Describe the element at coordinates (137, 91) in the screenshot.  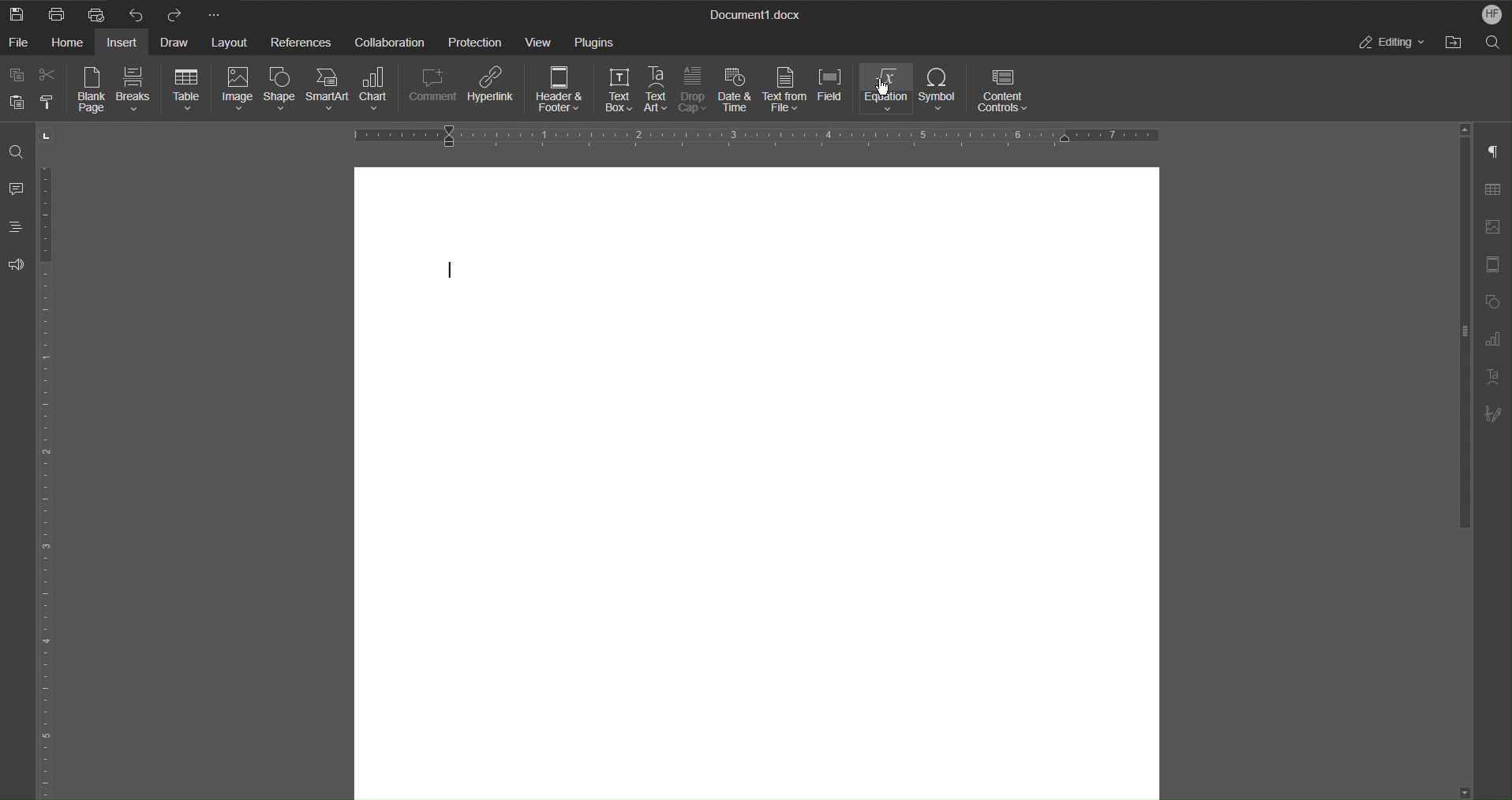
I see `Breaks` at that location.